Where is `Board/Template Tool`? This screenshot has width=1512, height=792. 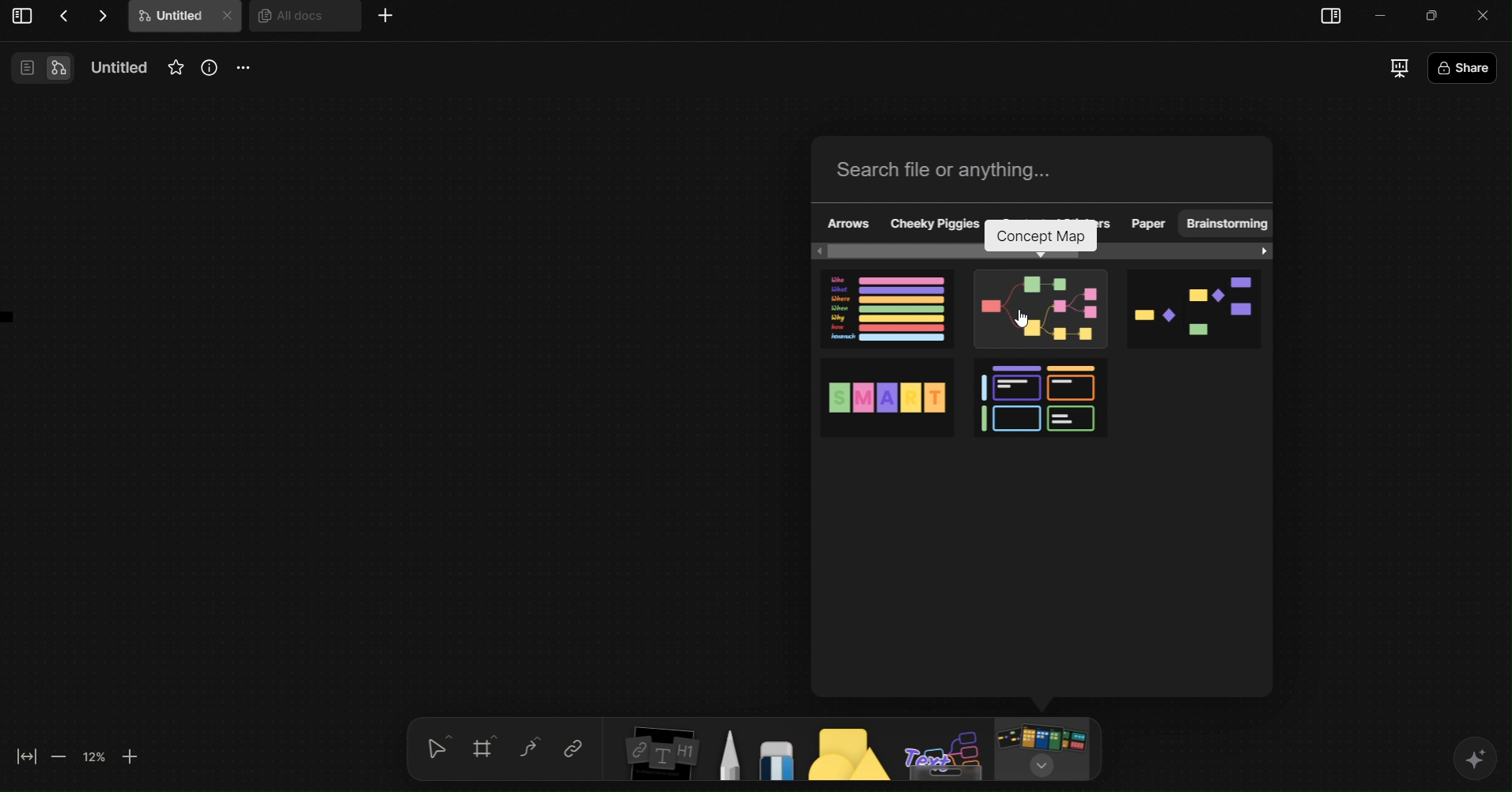
Board/Template Tool is located at coordinates (1048, 752).